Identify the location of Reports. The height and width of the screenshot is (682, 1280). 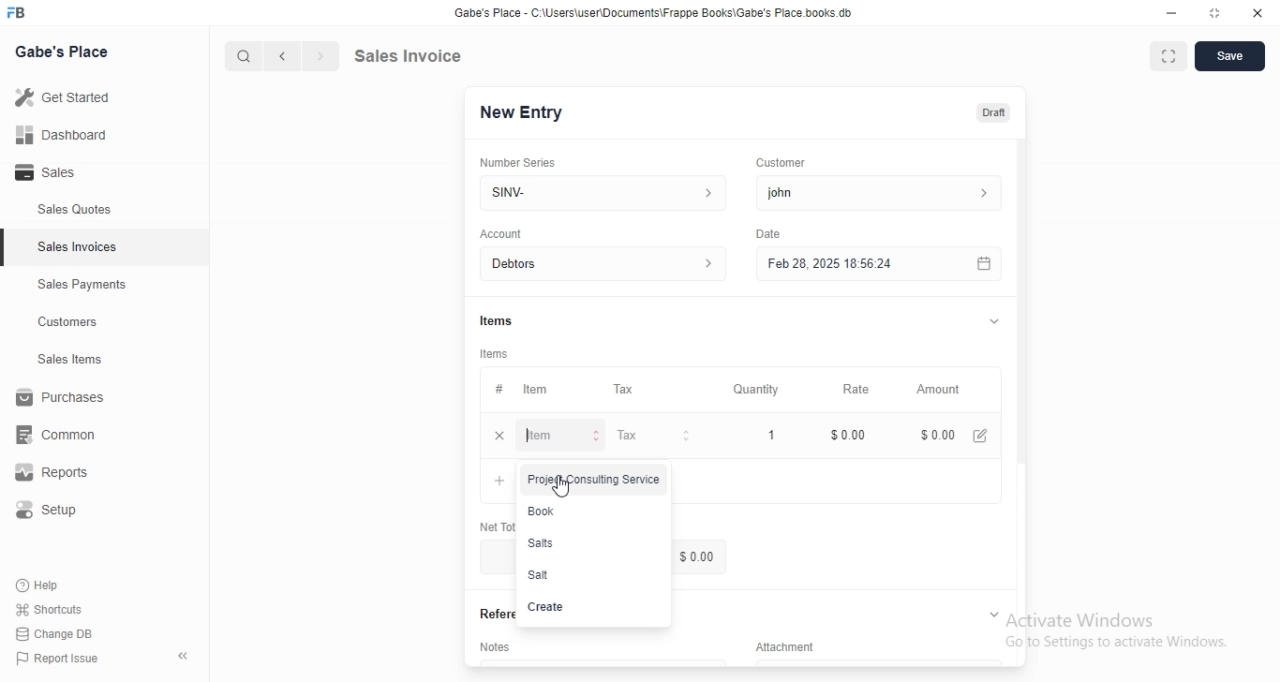
(65, 475).